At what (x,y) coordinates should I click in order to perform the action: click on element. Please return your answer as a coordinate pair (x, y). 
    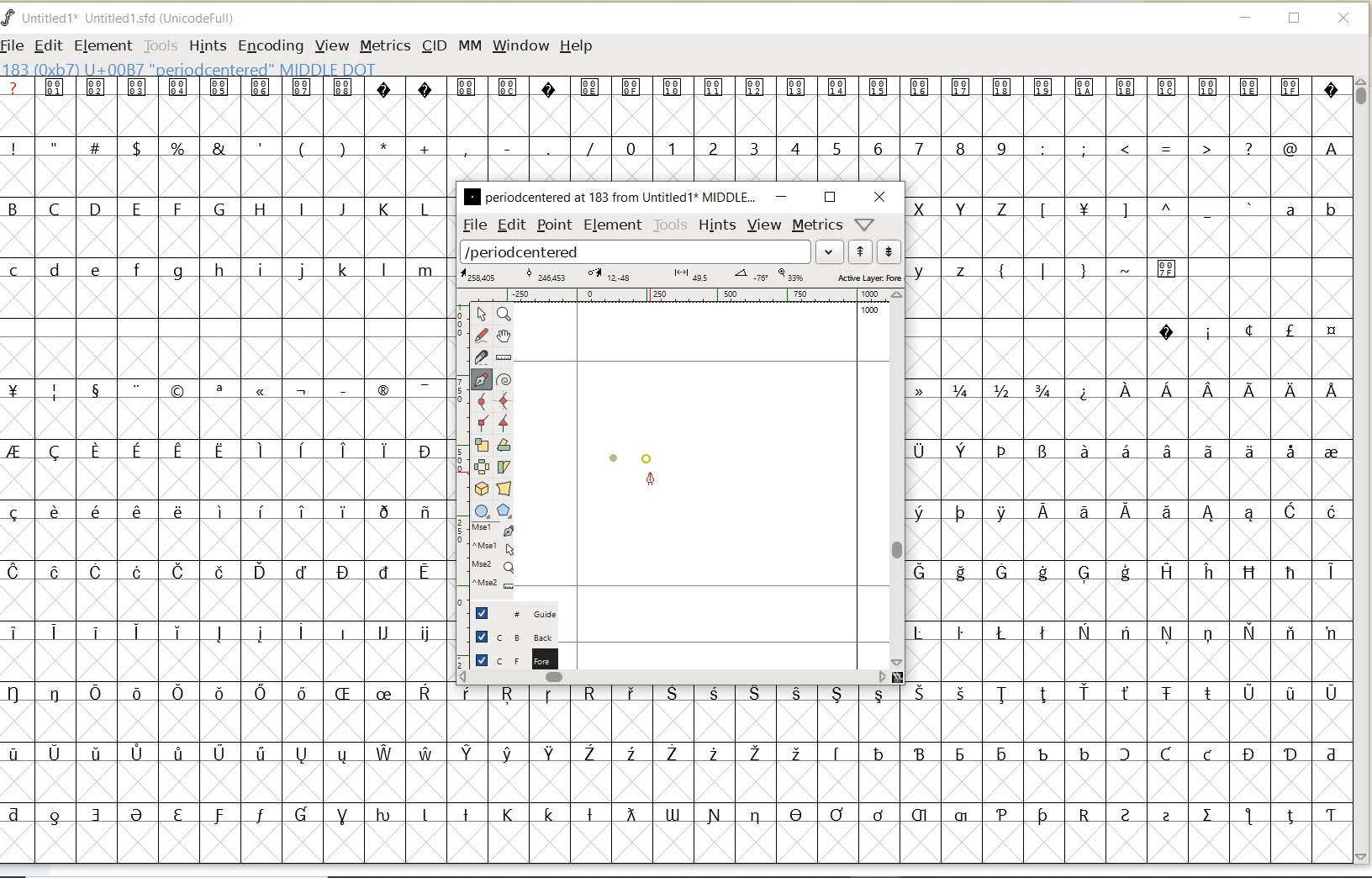
    Looking at the image, I should click on (610, 225).